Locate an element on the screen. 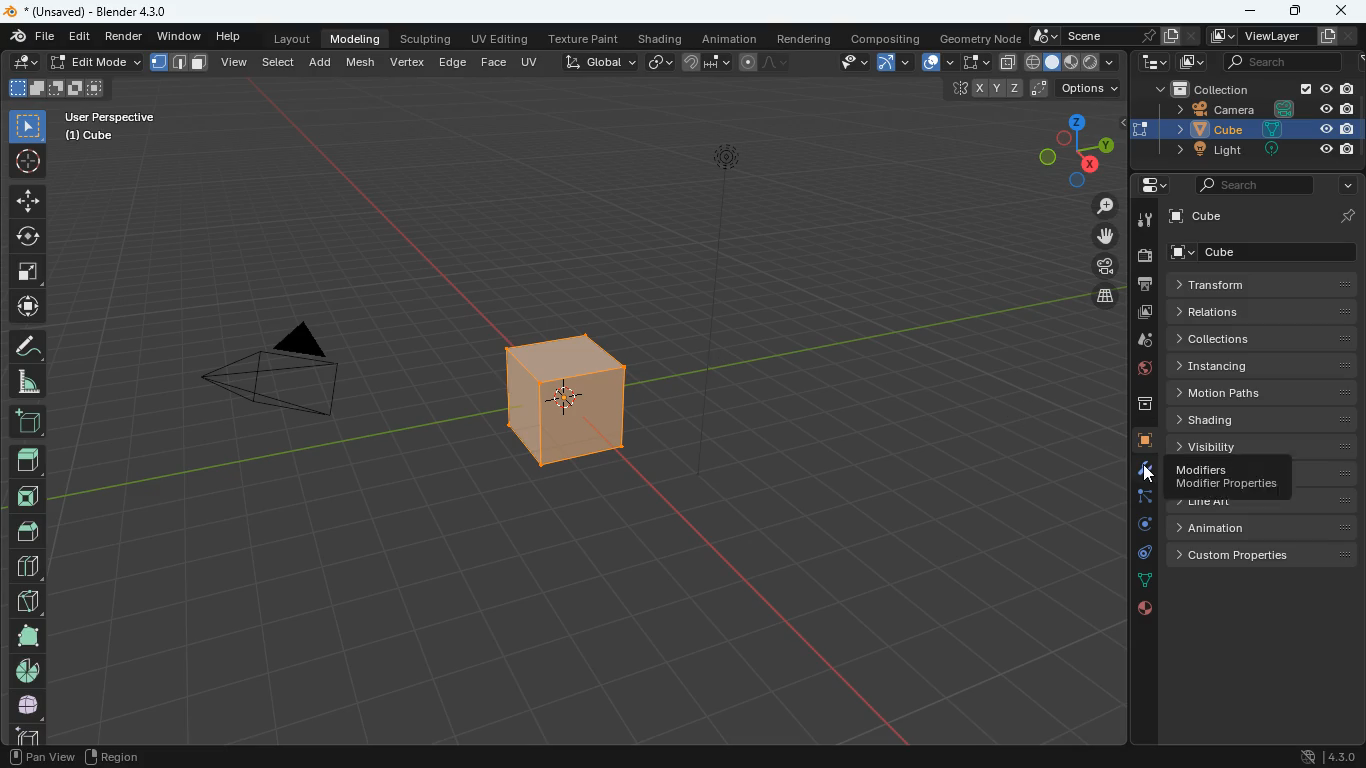 The image size is (1366, 768). add is located at coordinates (321, 65).